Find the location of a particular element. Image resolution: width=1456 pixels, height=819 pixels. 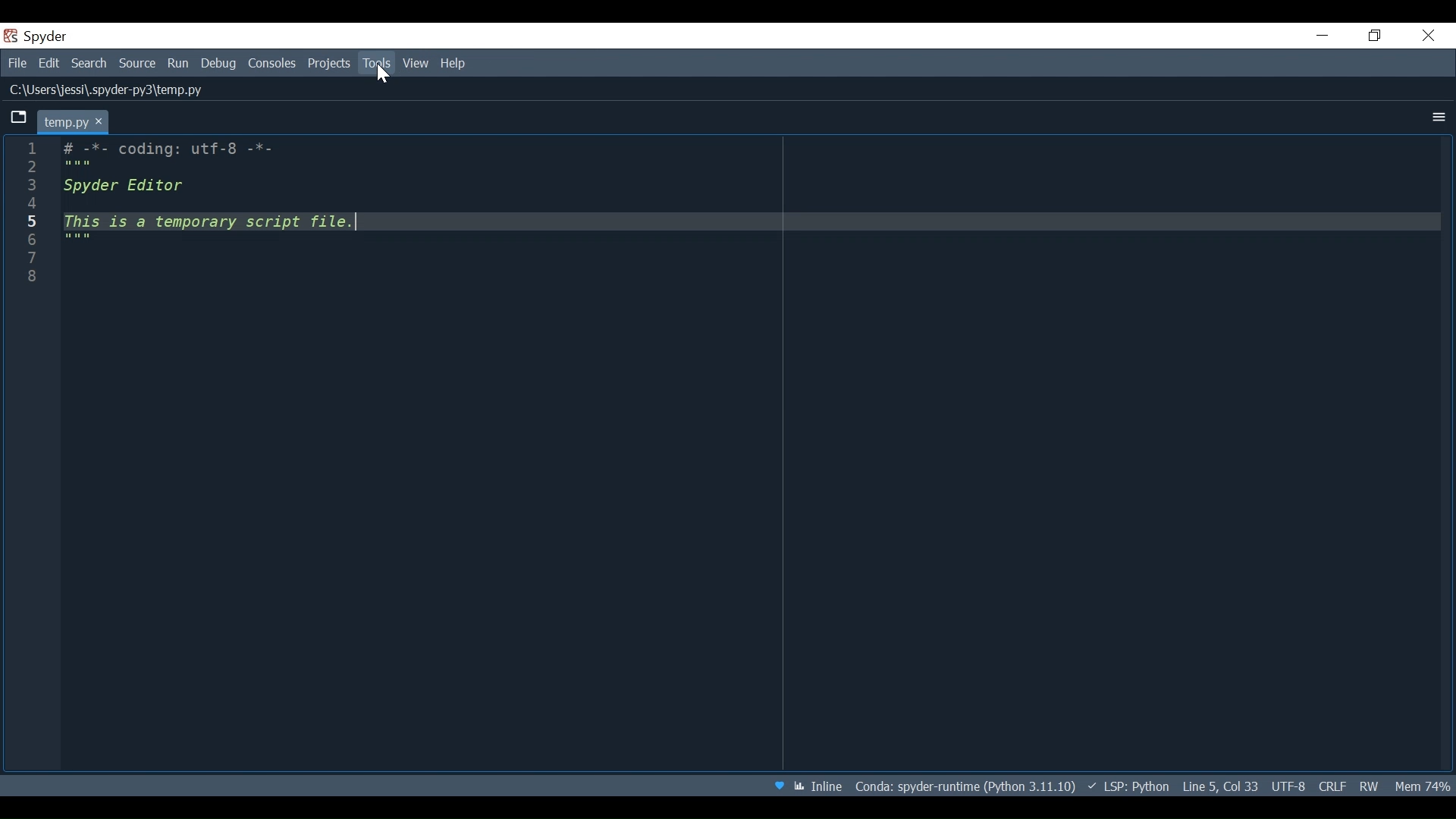

Search is located at coordinates (88, 64).